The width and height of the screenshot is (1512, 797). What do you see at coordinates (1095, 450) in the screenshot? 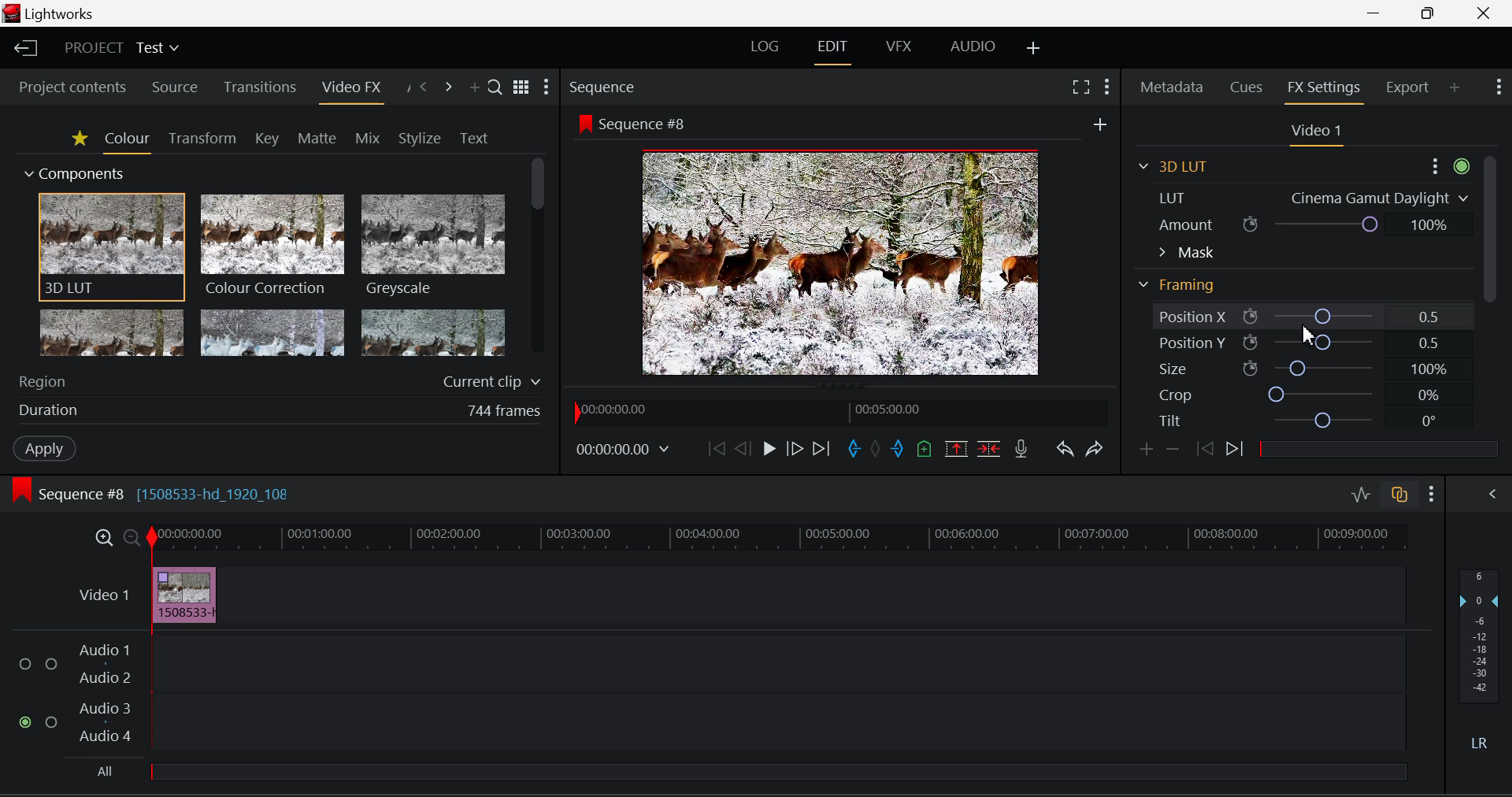
I see `Redo` at bounding box center [1095, 450].